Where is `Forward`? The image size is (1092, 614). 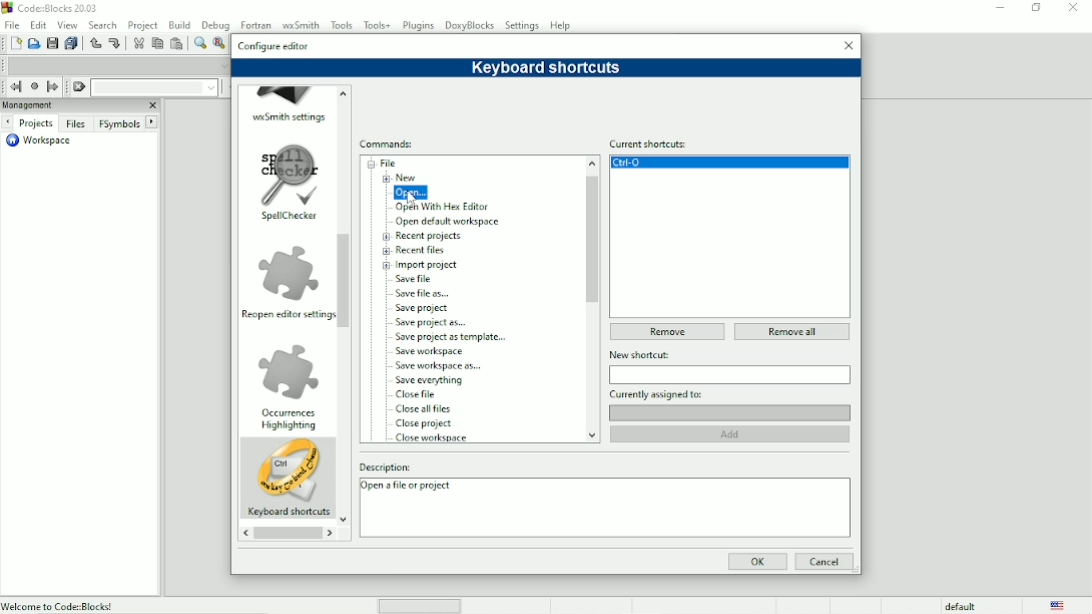 Forward is located at coordinates (333, 534).